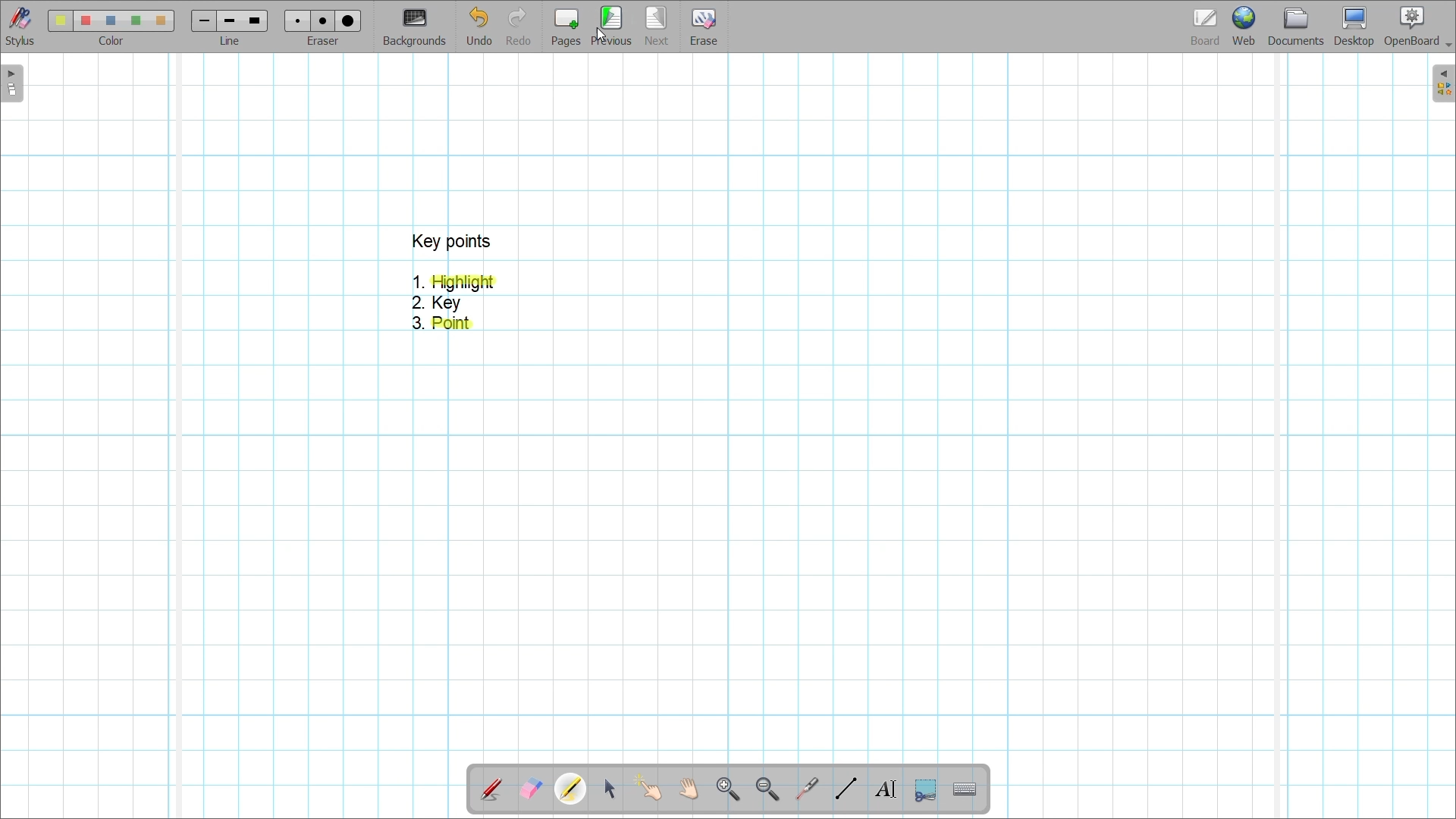 This screenshot has width=1456, height=819. What do you see at coordinates (234, 42) in the screenshot?
I see `line` at bounding box center [234, 42].